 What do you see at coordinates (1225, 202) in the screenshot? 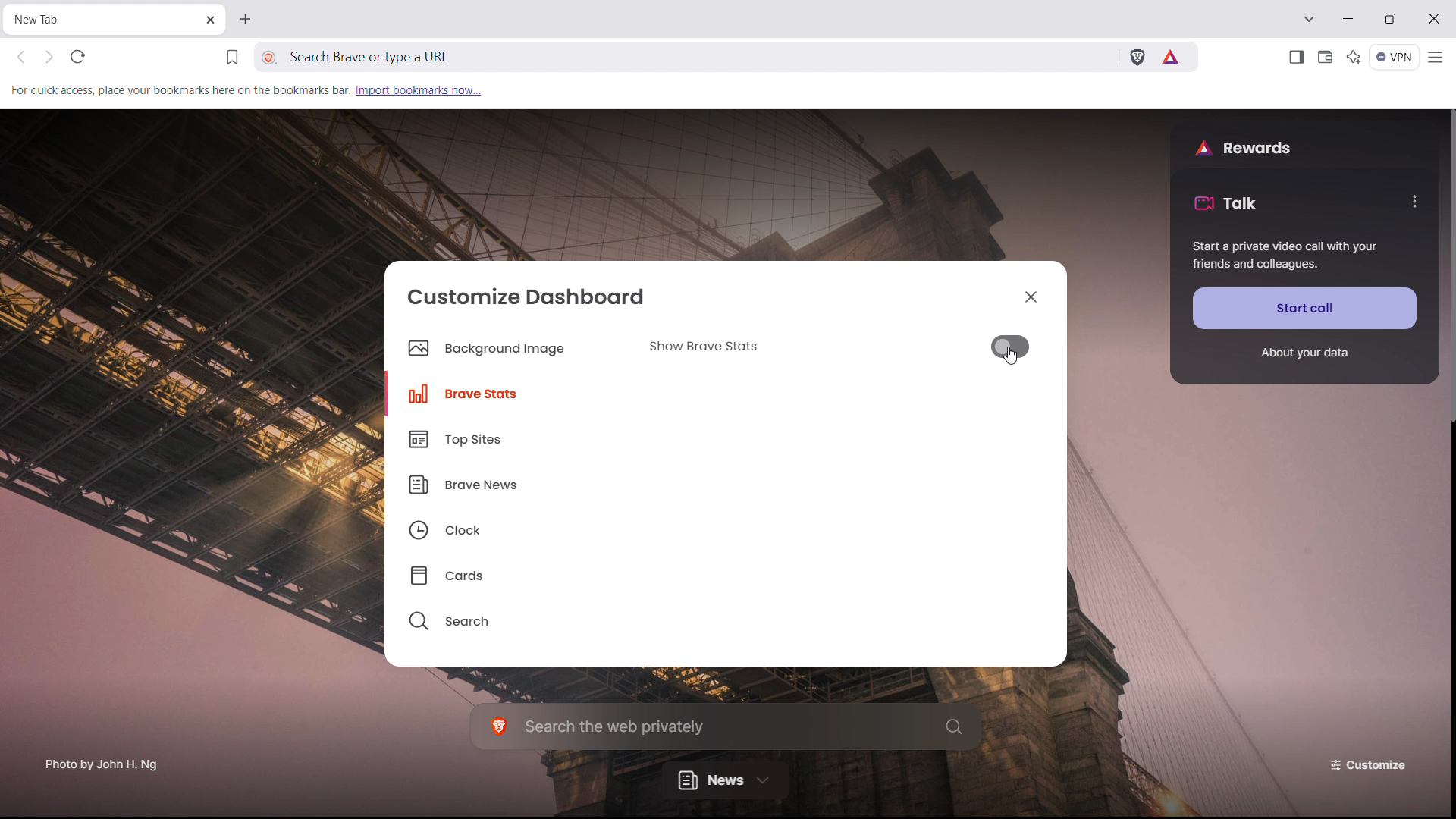
I see `talk` at bounding box center [1225, 202].